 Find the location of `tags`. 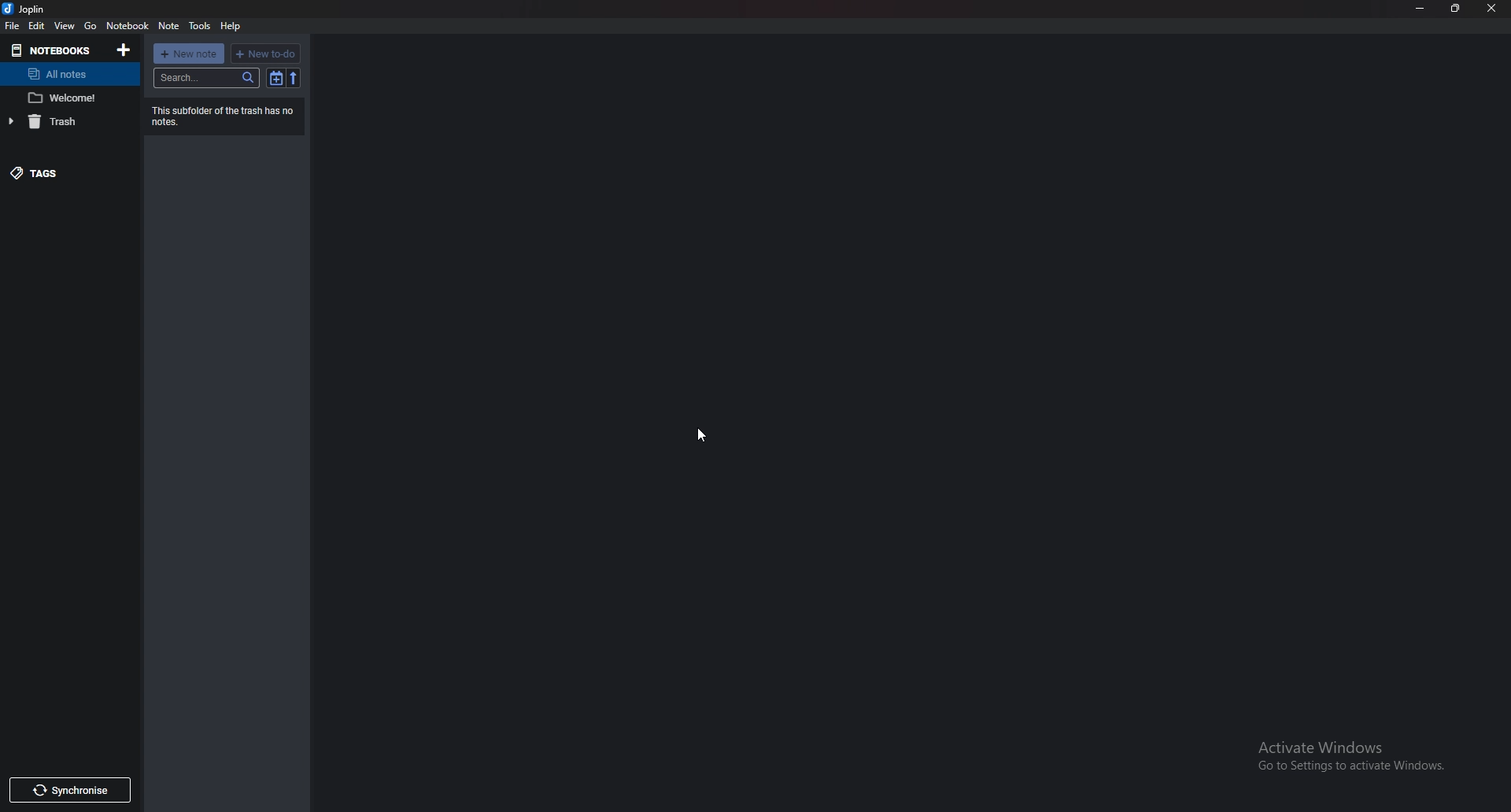

tags is located at coordinates (61, 170).